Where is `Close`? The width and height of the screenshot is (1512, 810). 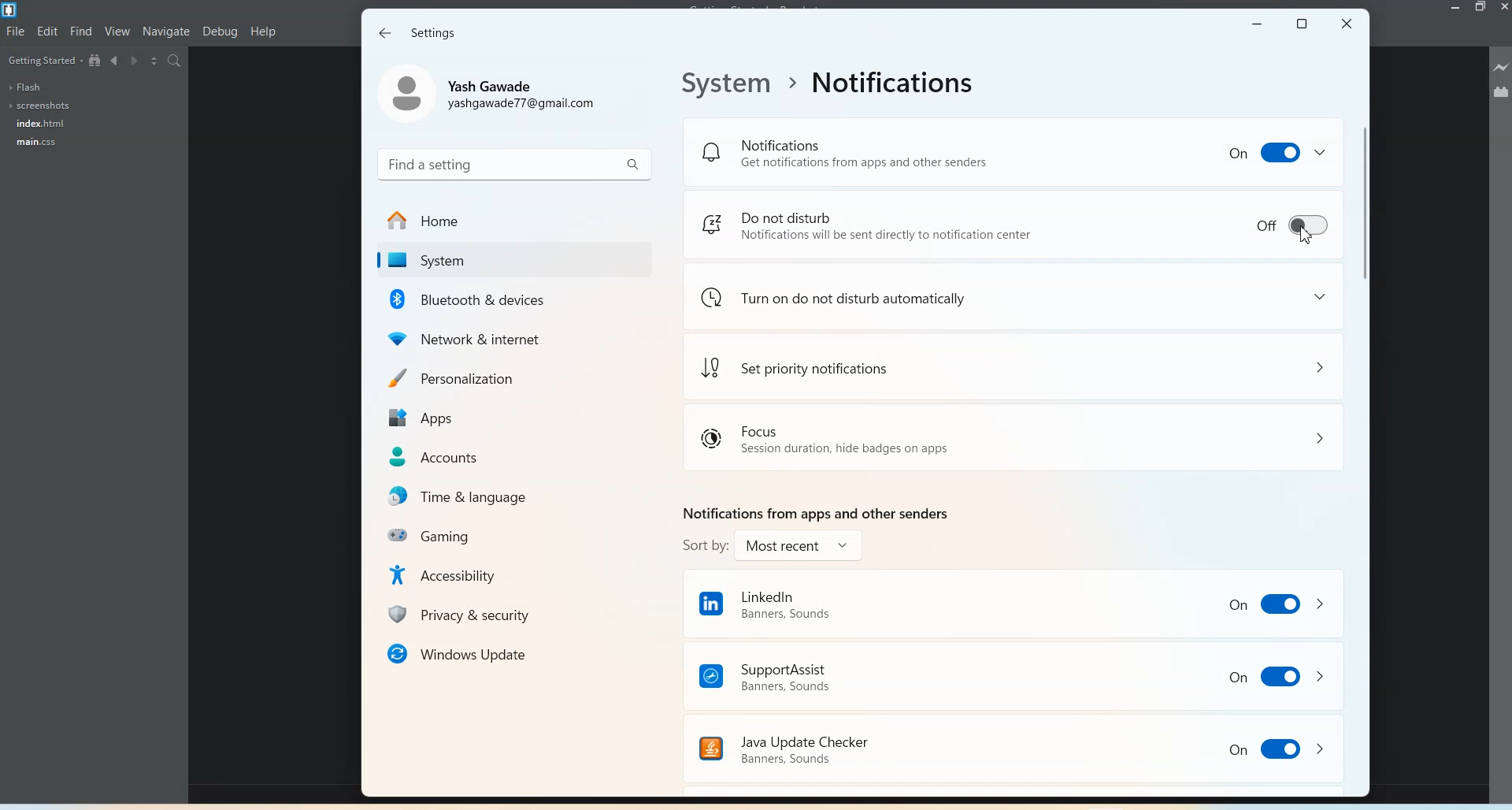
Close is located at coordinates (1503, 8).